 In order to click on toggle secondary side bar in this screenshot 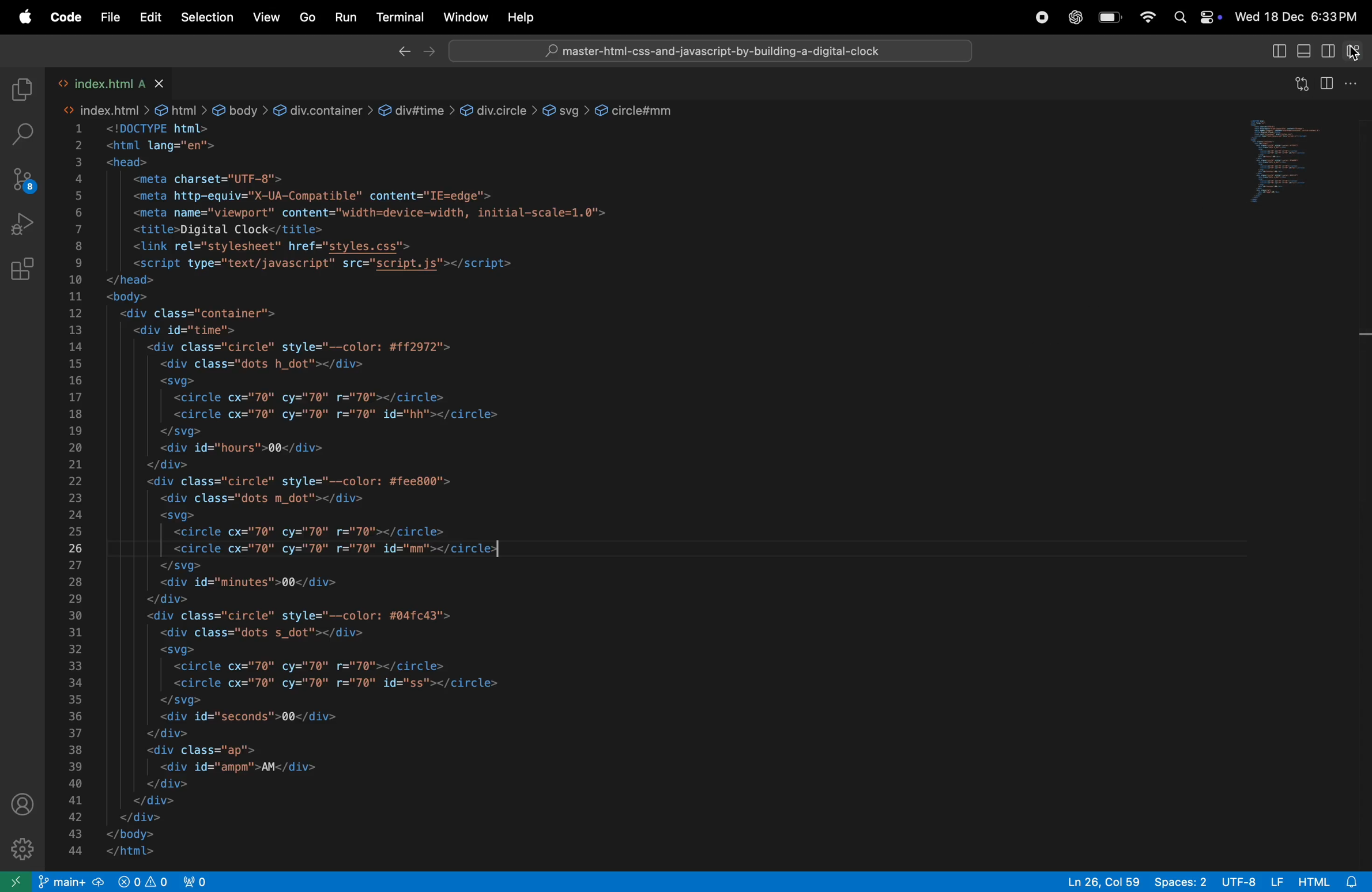, I will do `click(1330, 52)`.